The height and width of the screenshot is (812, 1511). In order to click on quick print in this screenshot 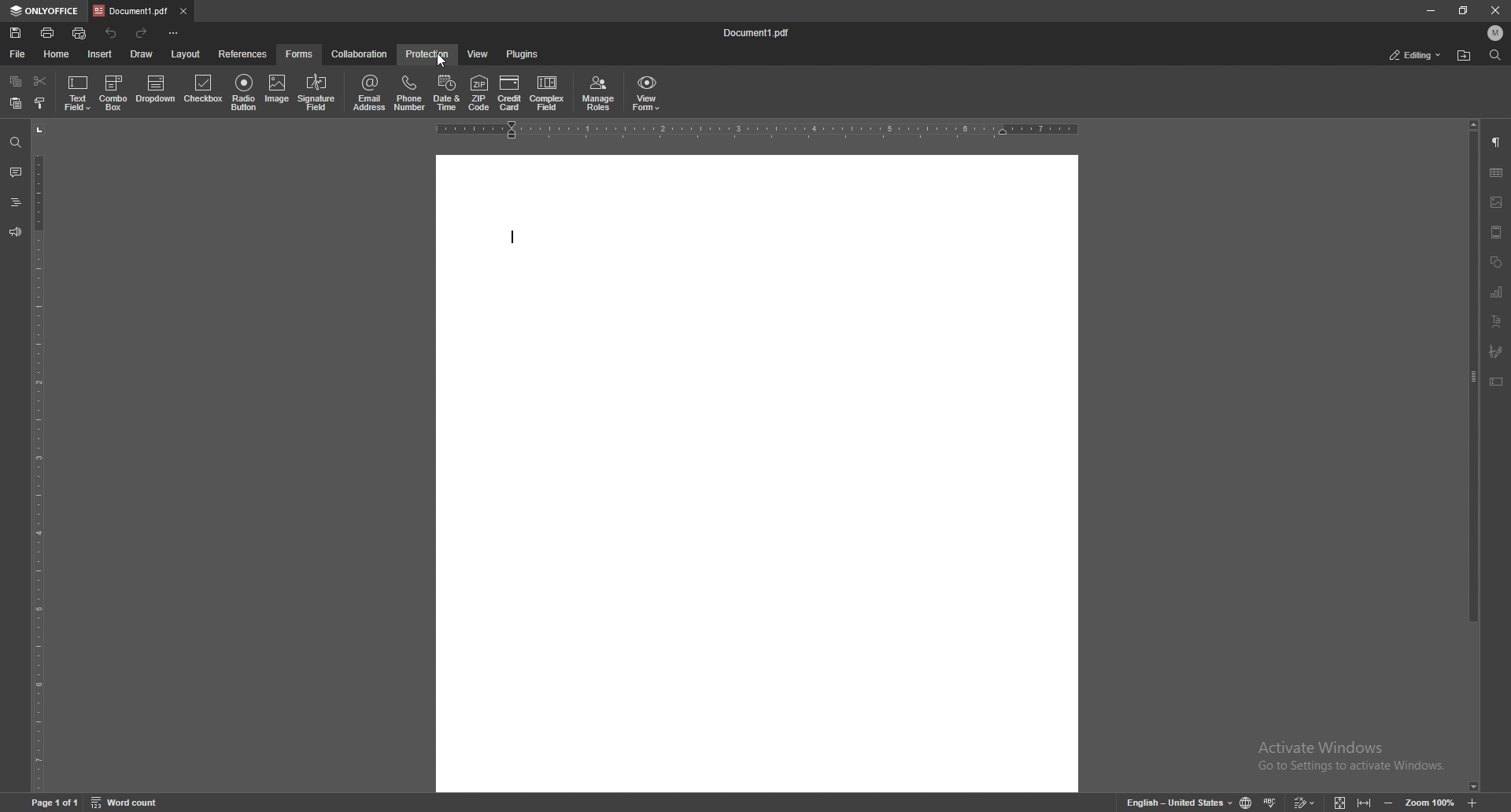, I will do `click(81, 33)`.